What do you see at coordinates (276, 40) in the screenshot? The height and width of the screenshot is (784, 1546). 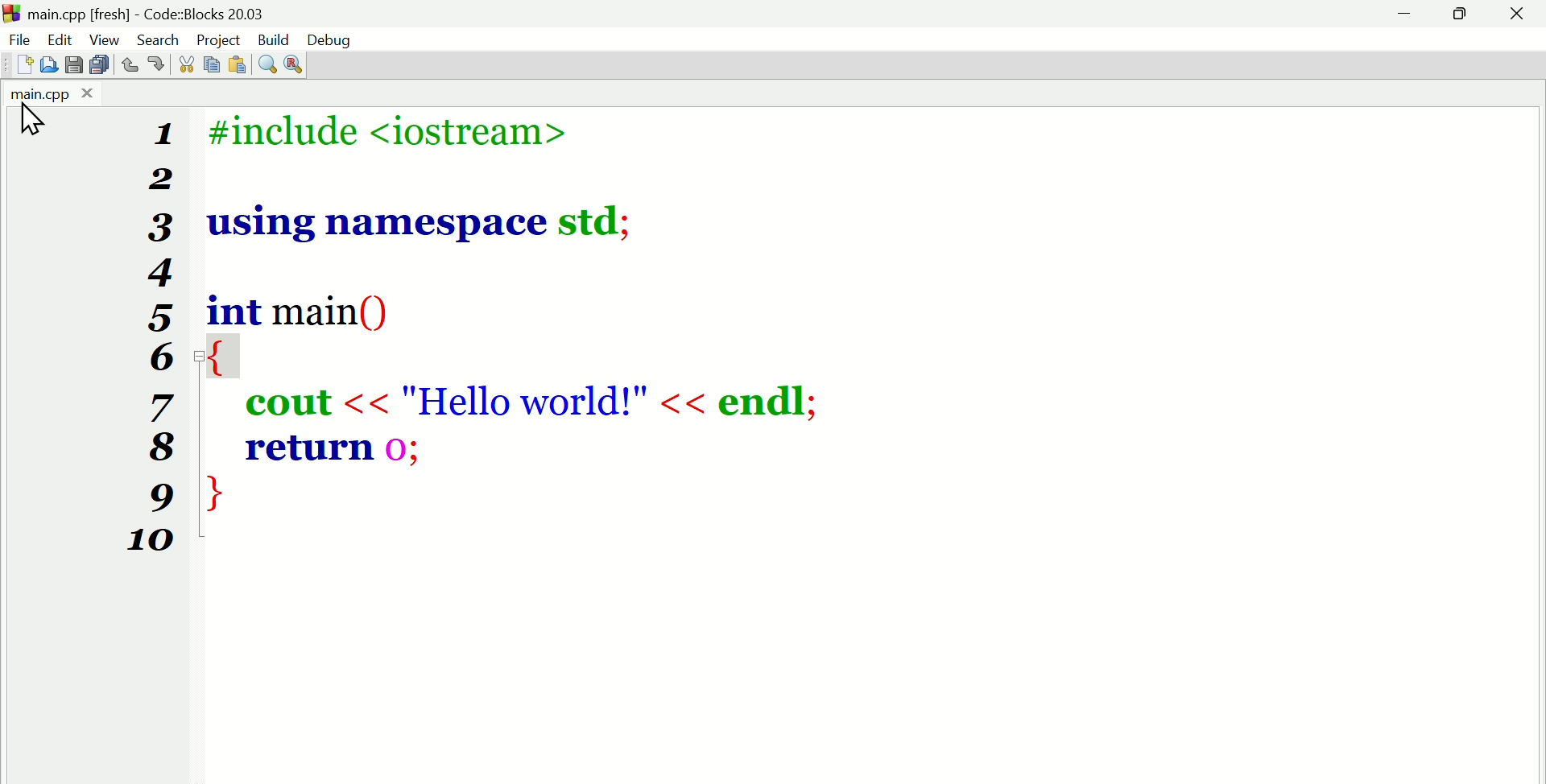 I see `Build` at bounding box center [276, 40].